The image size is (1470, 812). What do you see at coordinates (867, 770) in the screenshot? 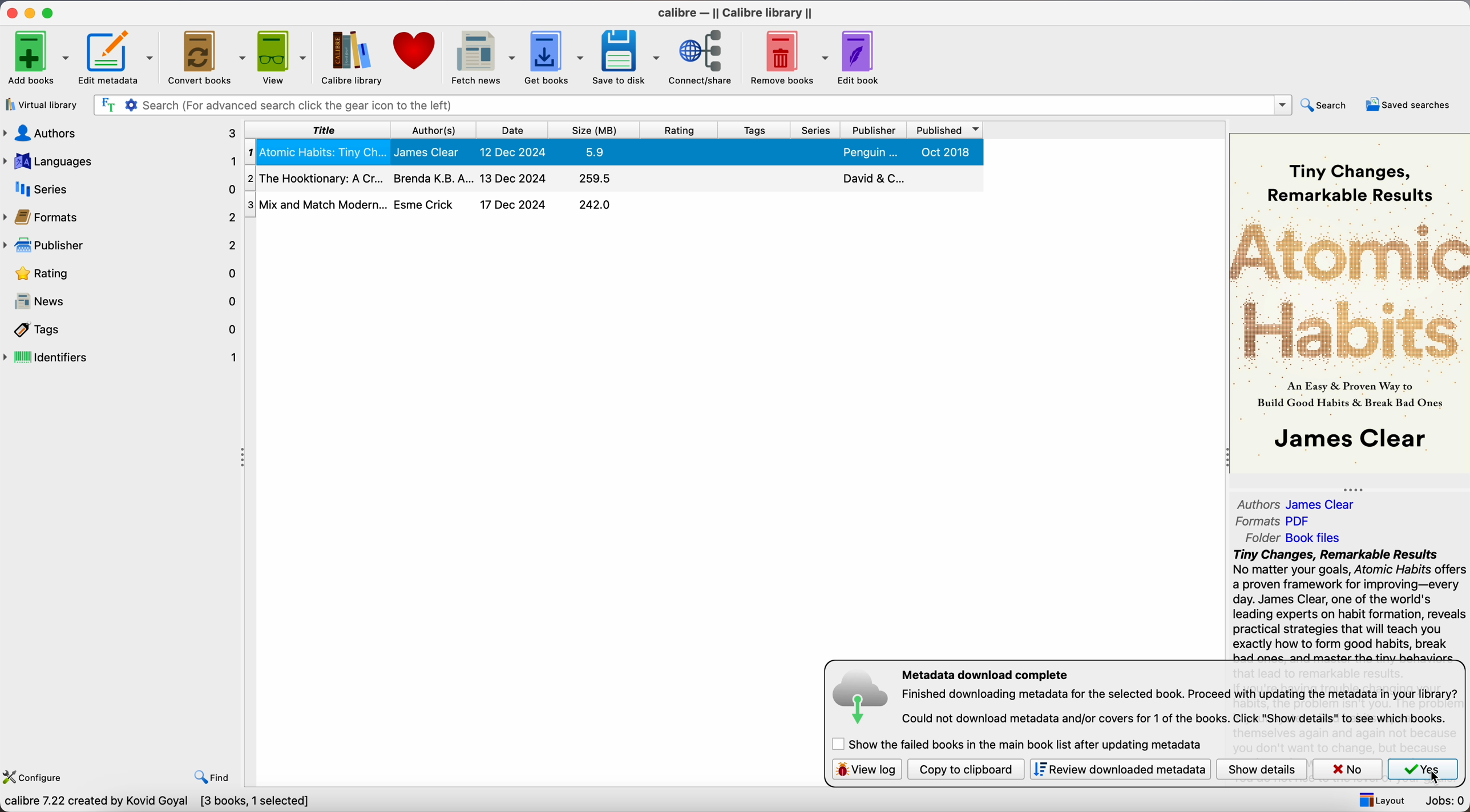
I see `view log` at bounding box center [867, 770].